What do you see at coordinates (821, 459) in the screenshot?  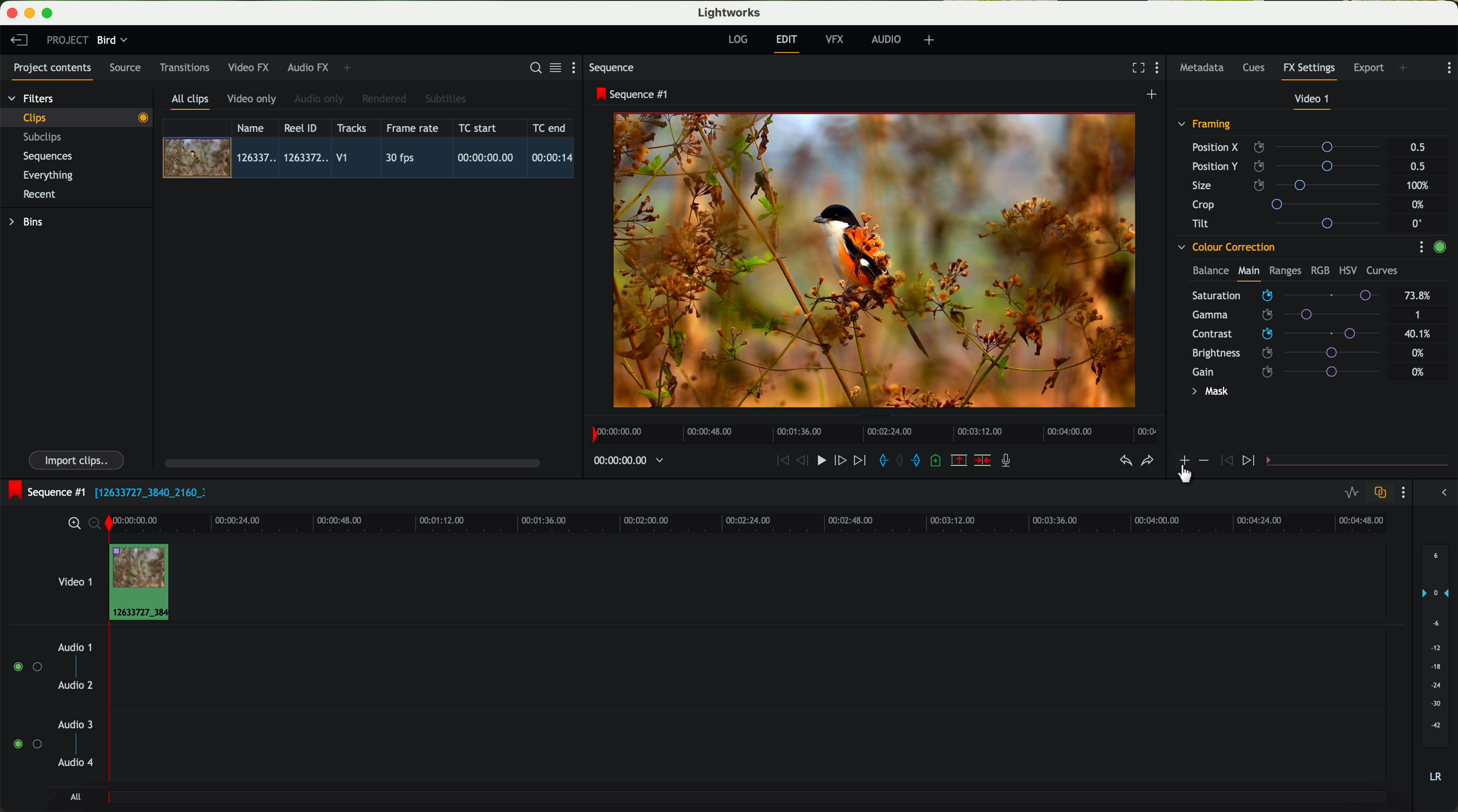 I see `play` at bounding box center [821, 459].